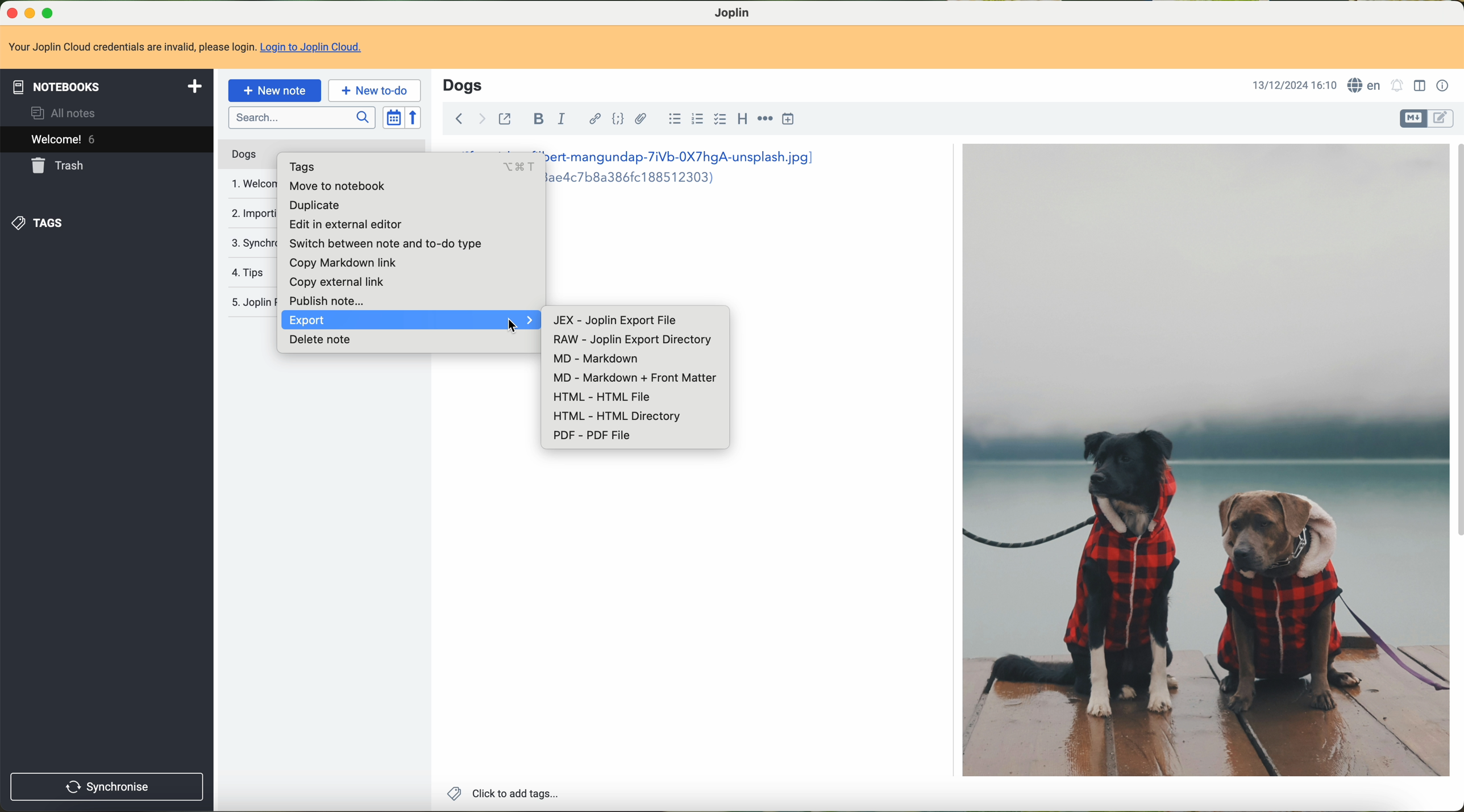  What do you see at coordinates (62, 165) in the screenshot?
I see `trash` at bounding box center [62, 165].